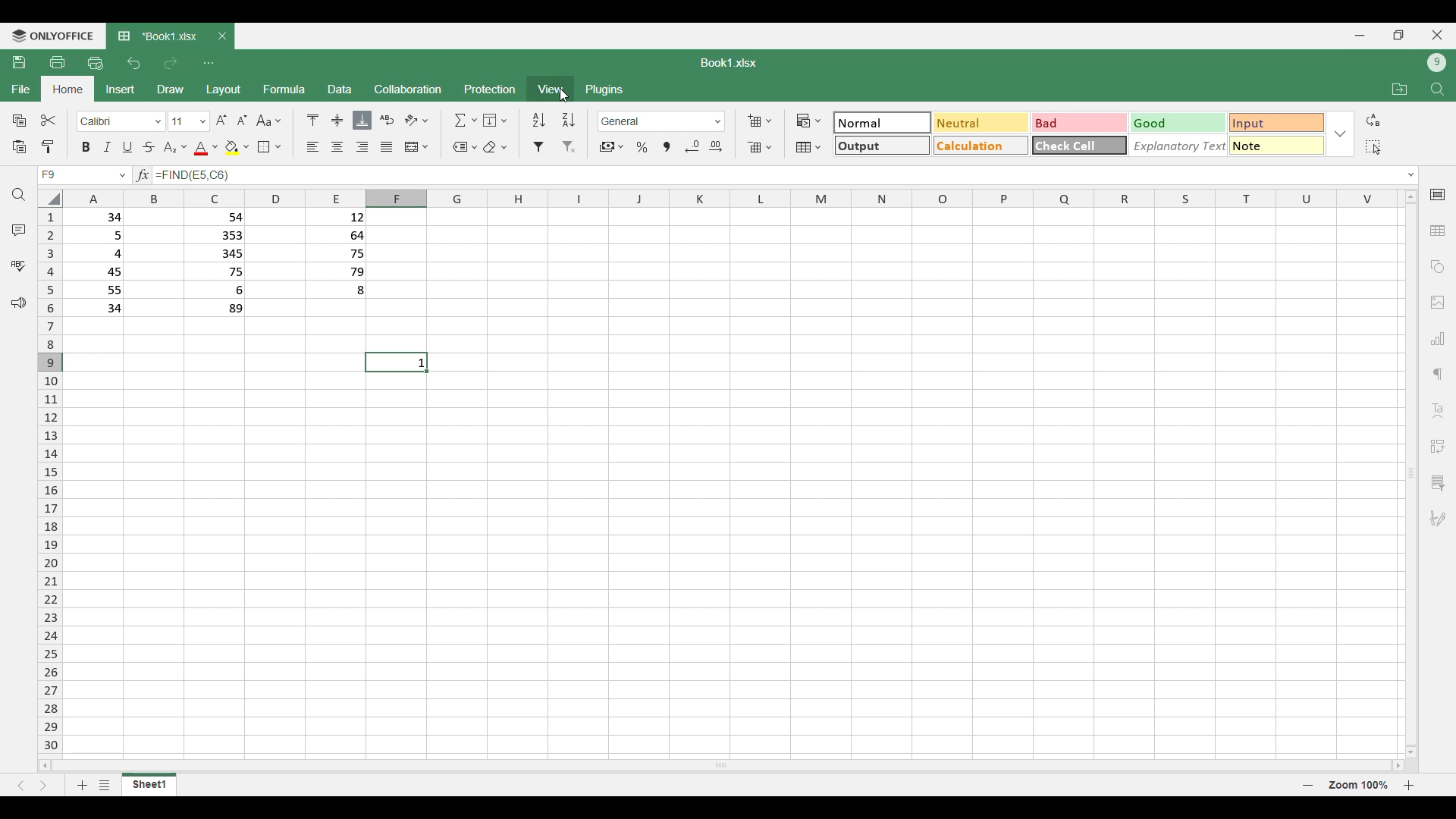  Describe the element at coordinates (337, 120) in the screenshot. I see `Align centre` at that location.